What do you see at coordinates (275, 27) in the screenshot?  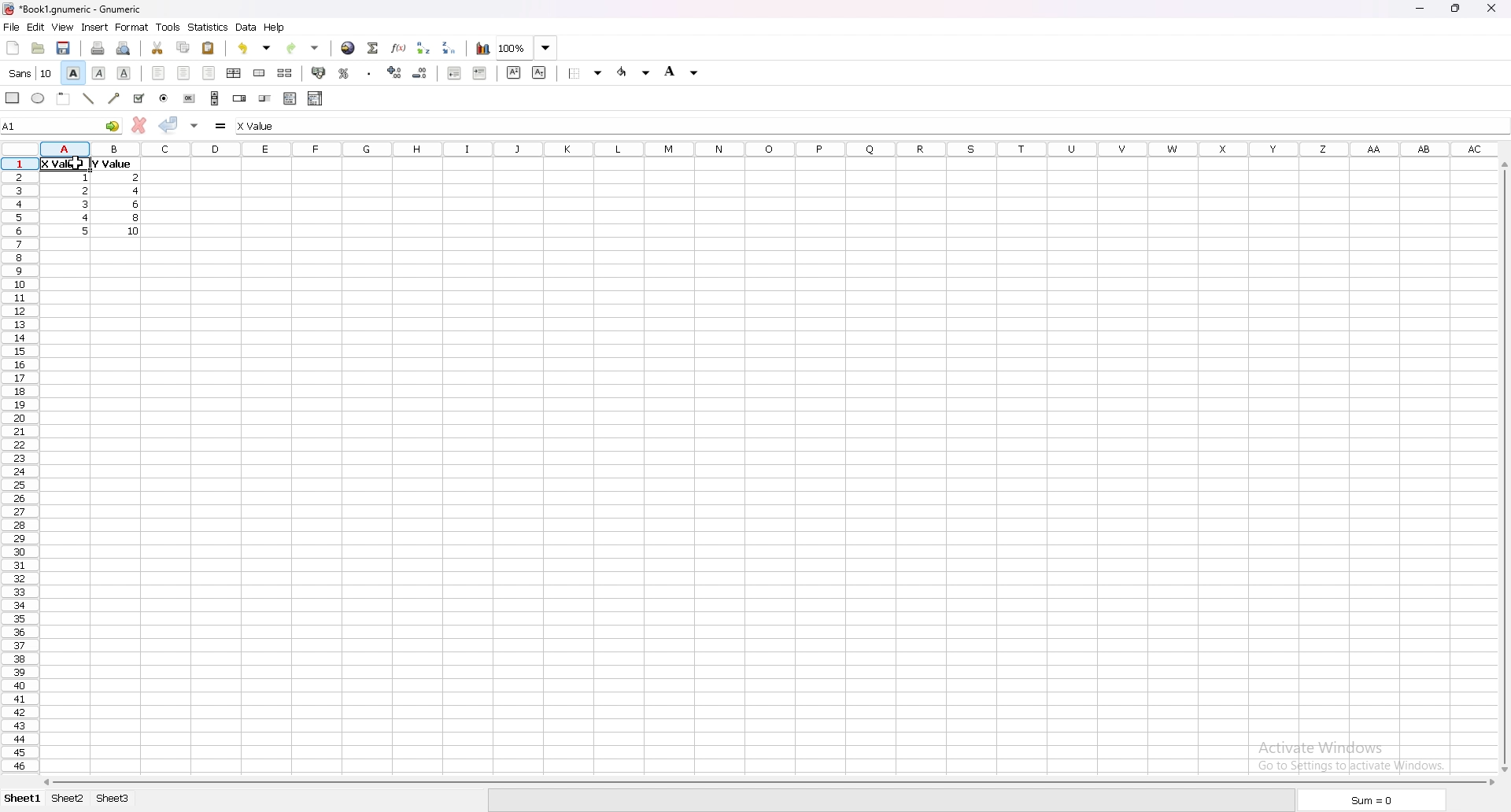 I see `help` at bounding box center [275, 27].